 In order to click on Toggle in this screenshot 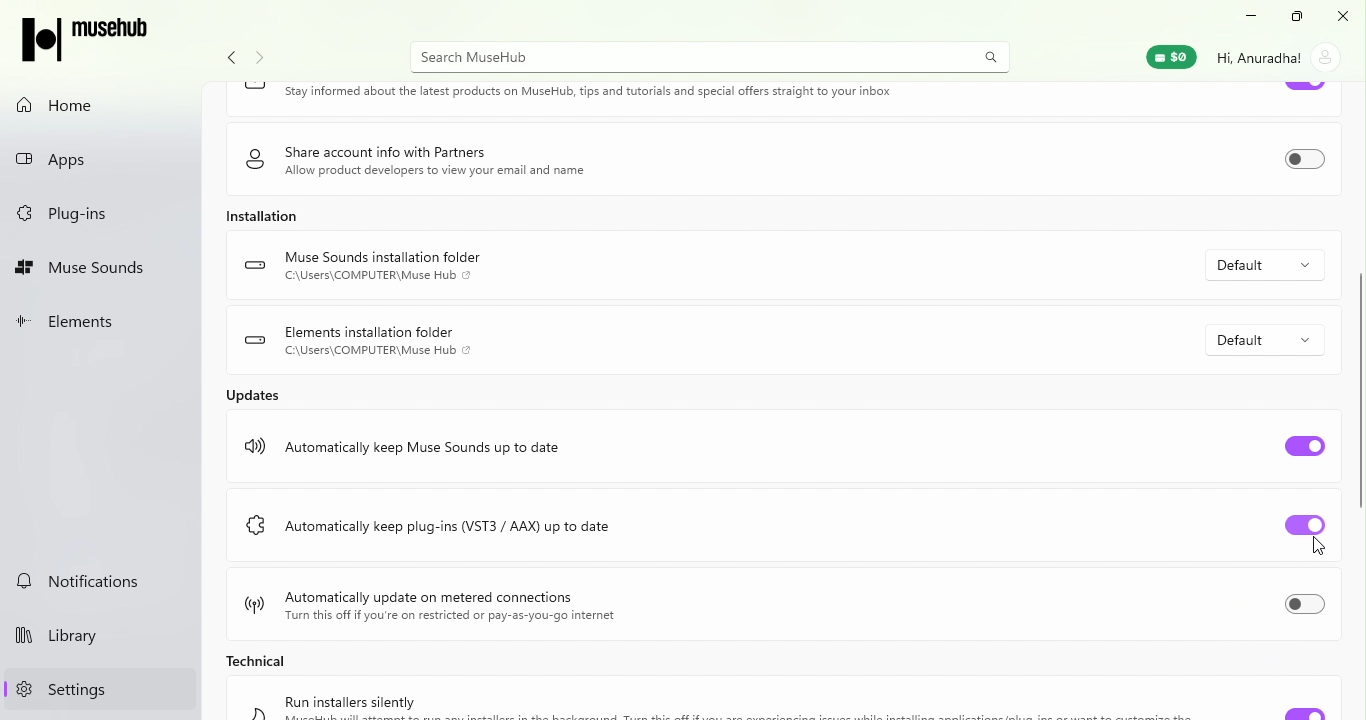, I will do `click(1304, 603)`.